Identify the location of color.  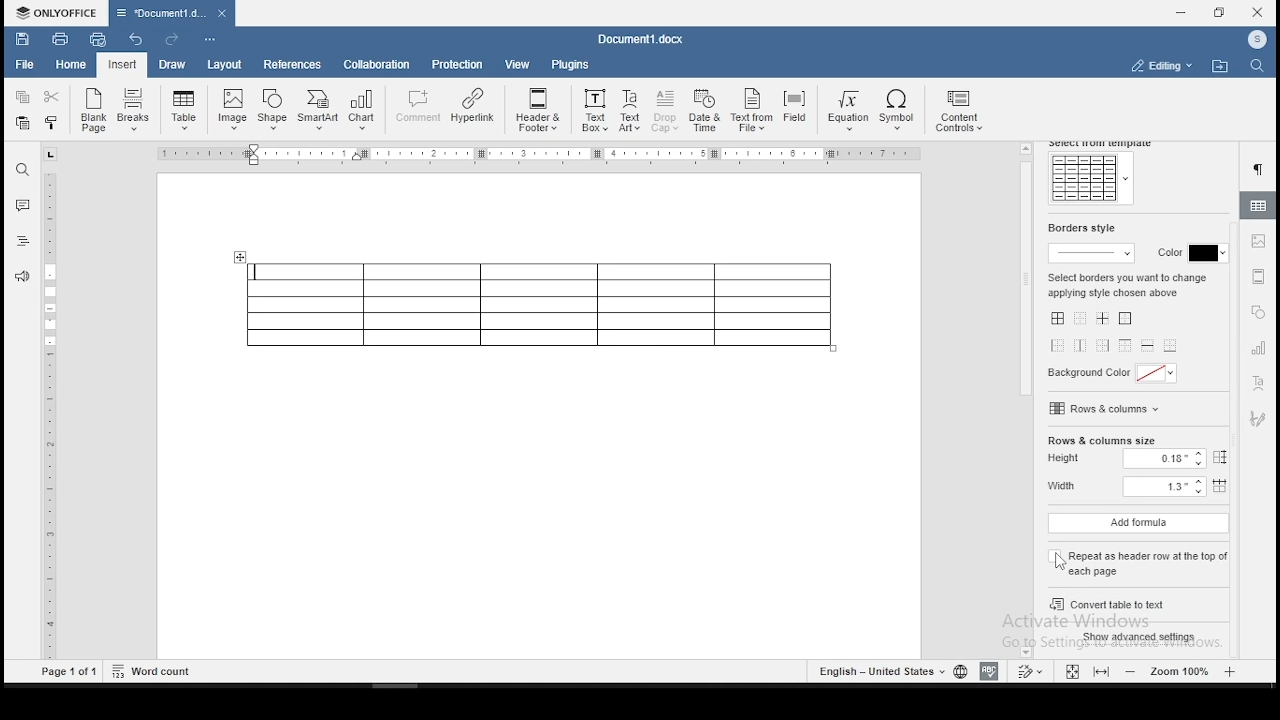
(1188, 254).